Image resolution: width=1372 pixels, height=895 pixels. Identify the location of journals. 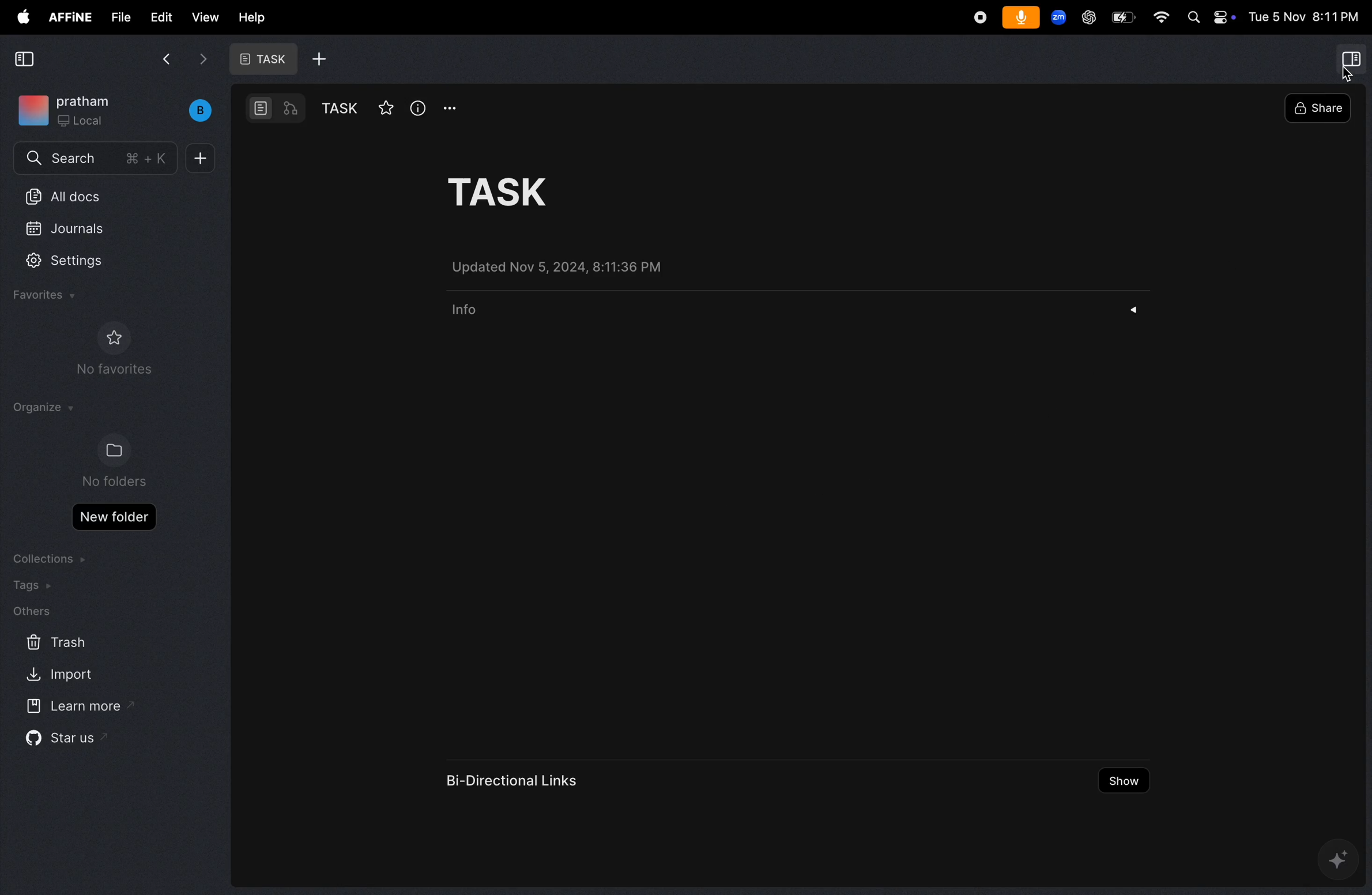
(77, 226).